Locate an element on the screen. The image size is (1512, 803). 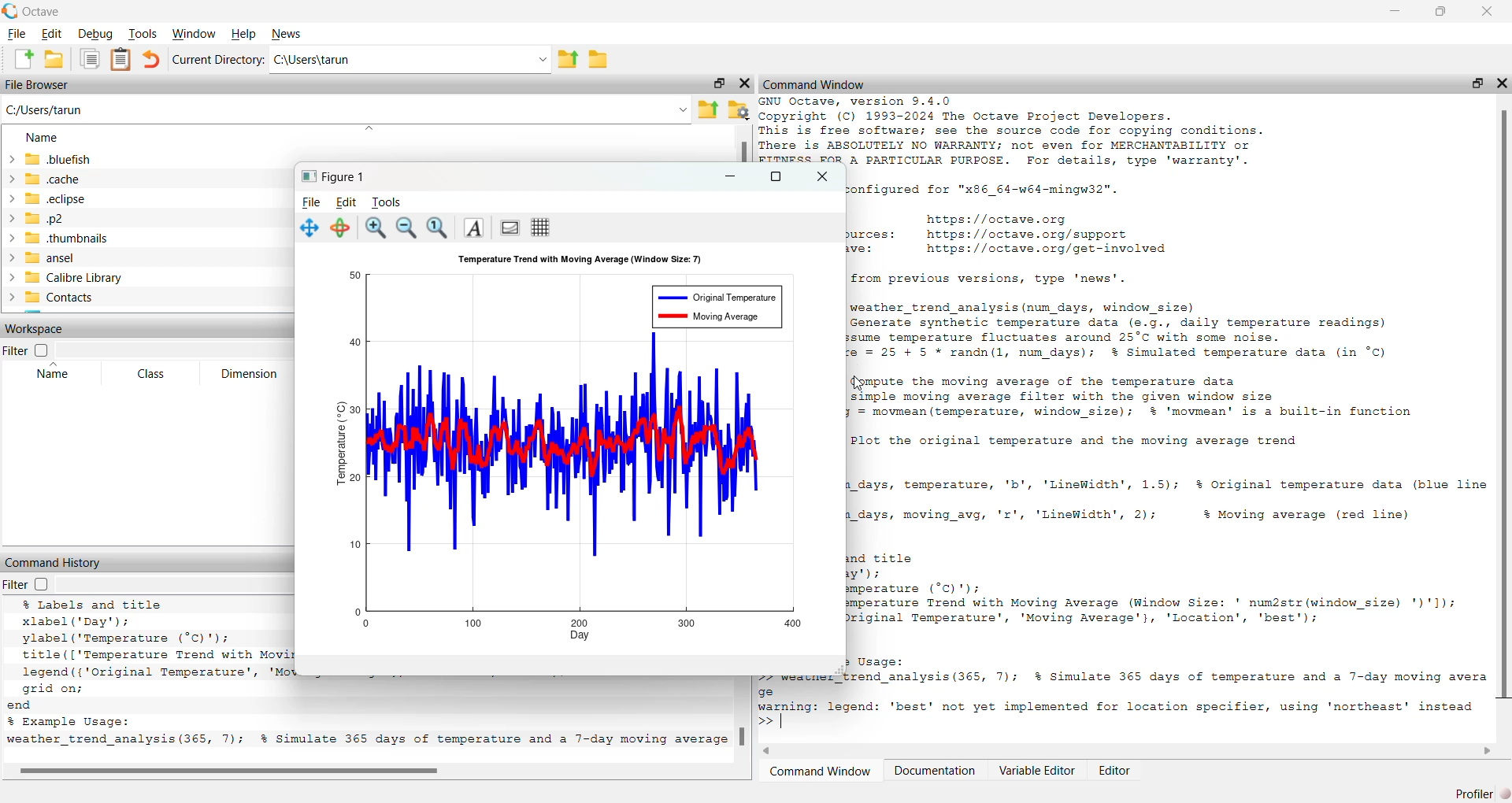
.p2 is located at coordinates (36, 220).